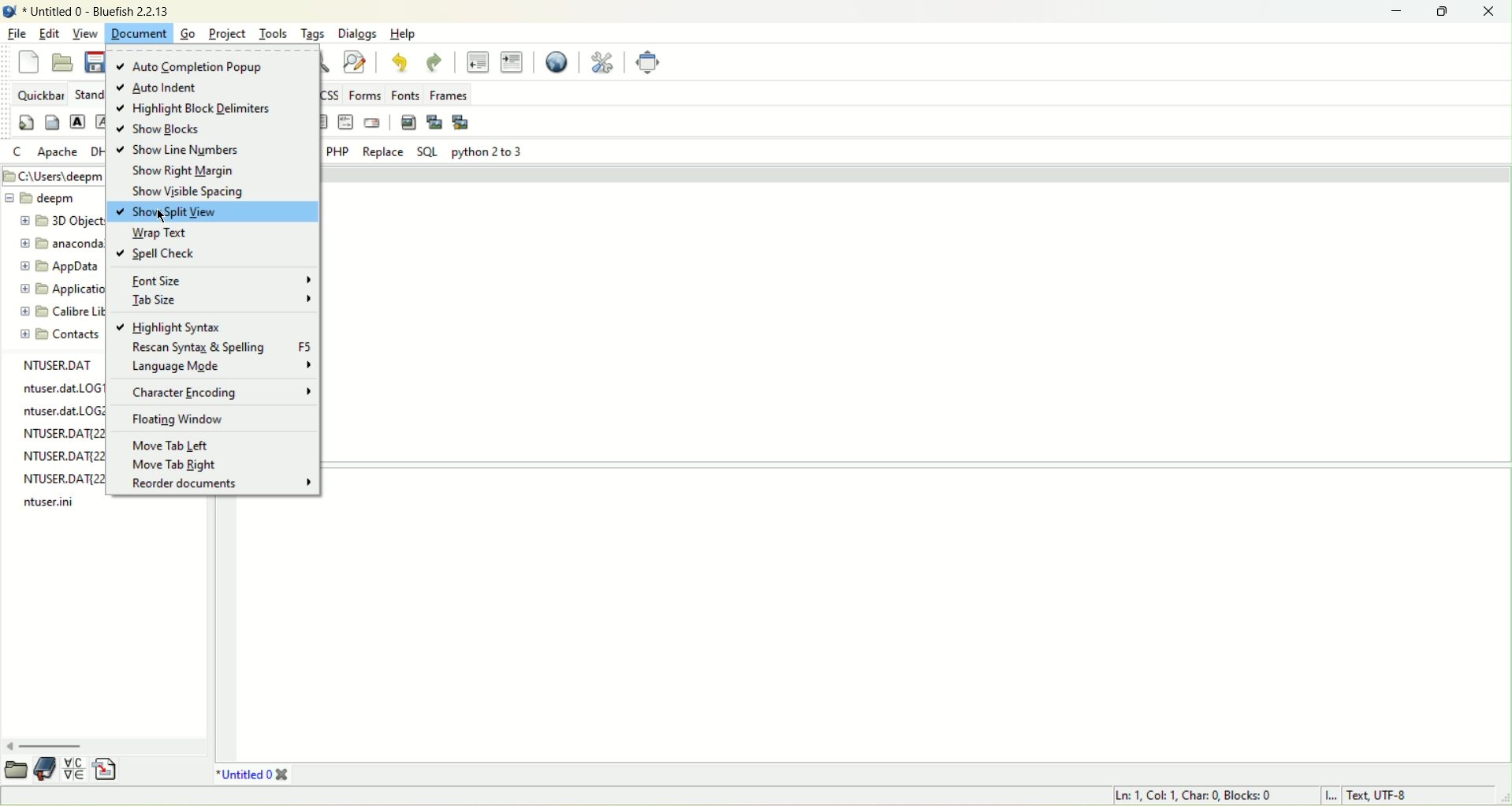 The height and width of the screenshot is (806, 1512). Describe the element at coordinates (339, 153) in the screenshot. I see `PHP` at that location.